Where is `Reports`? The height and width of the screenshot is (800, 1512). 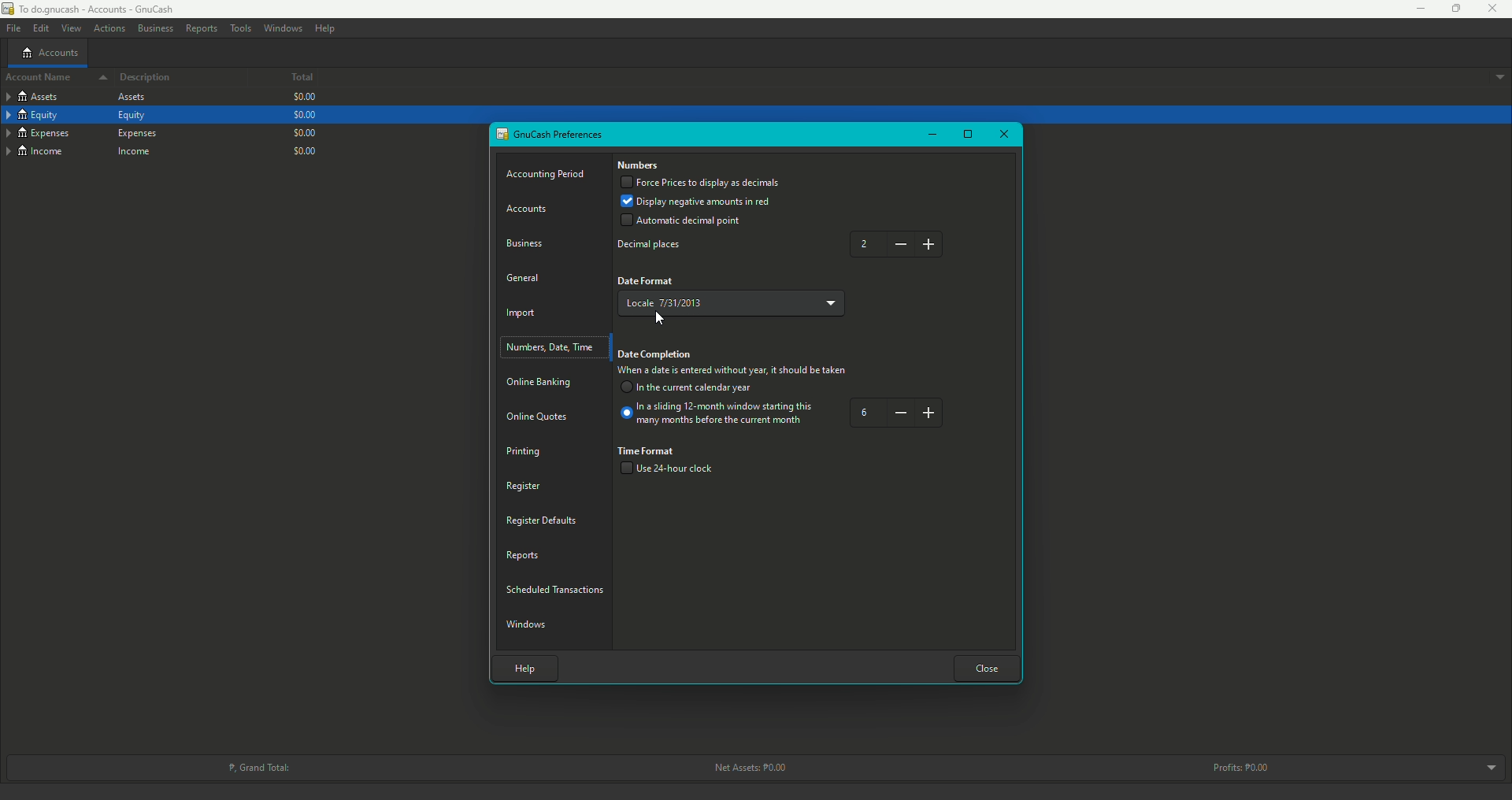 Reports is located at coordinates (201, 28).